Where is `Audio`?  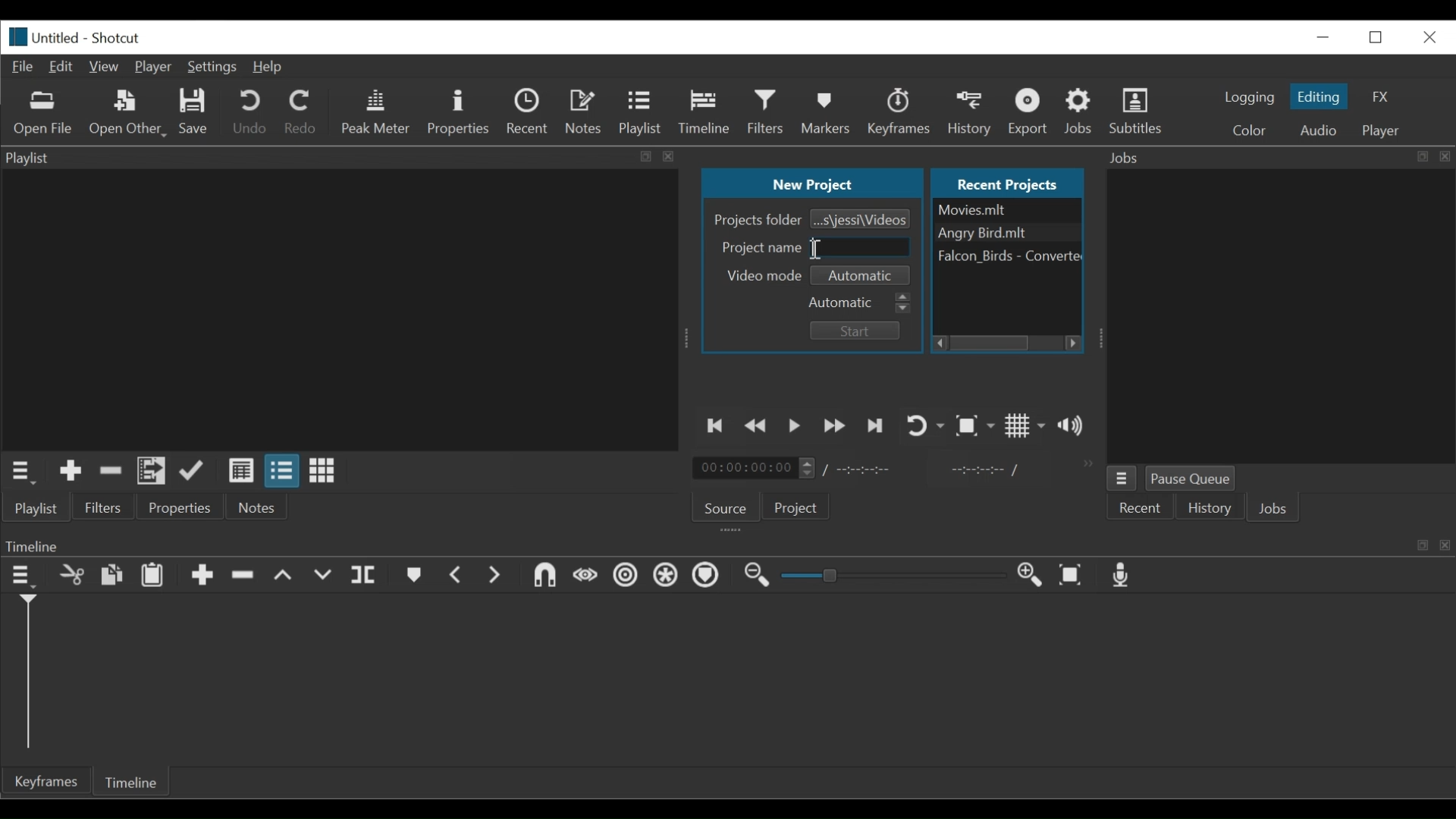
Audio is located at coordinates (1319, 130).